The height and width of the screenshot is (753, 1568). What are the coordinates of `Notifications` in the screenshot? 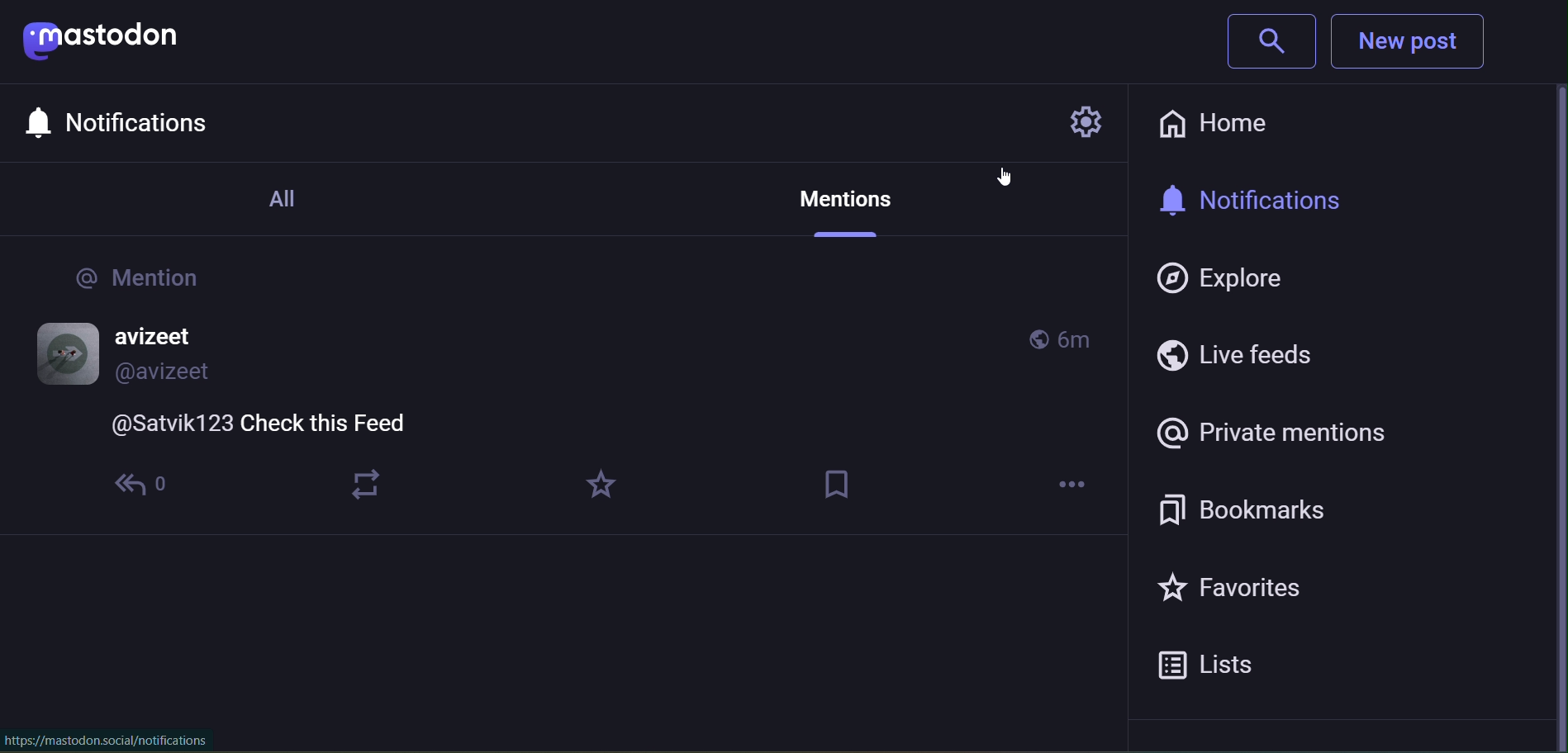 It's located at (157, 123).